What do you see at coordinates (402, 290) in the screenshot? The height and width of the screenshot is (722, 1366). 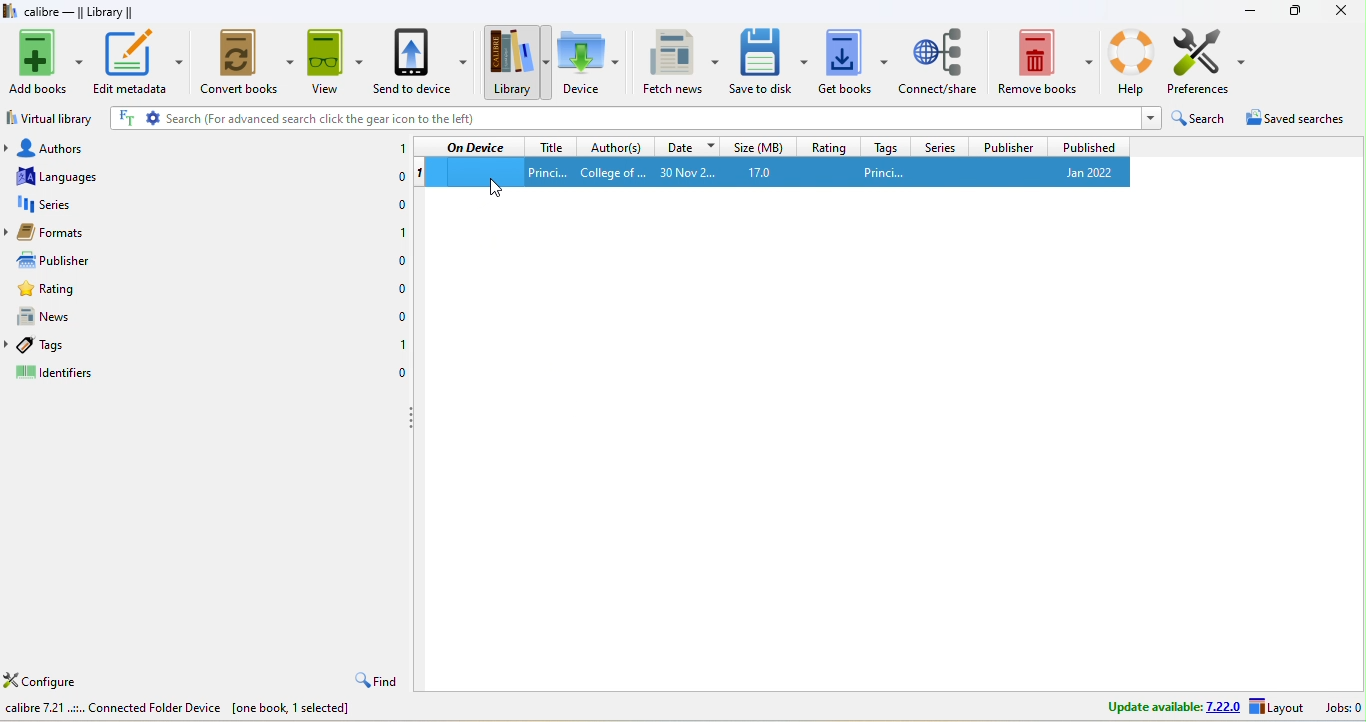 I see `0` at bounding box center [402, 290].